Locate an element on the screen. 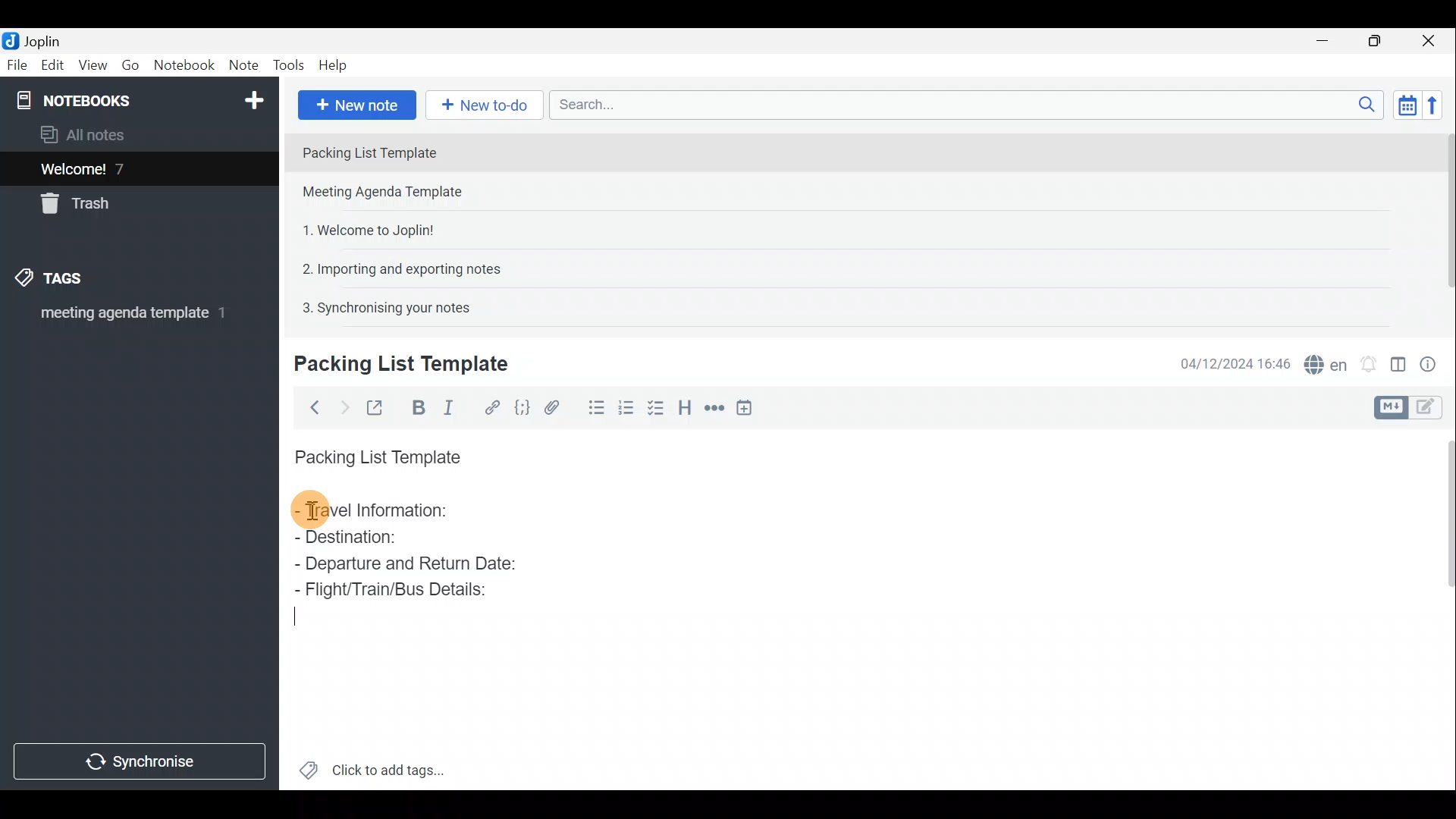 The width and height of the screenshot is (1456, 819). Minimise is located at coordinates (1330, 43).